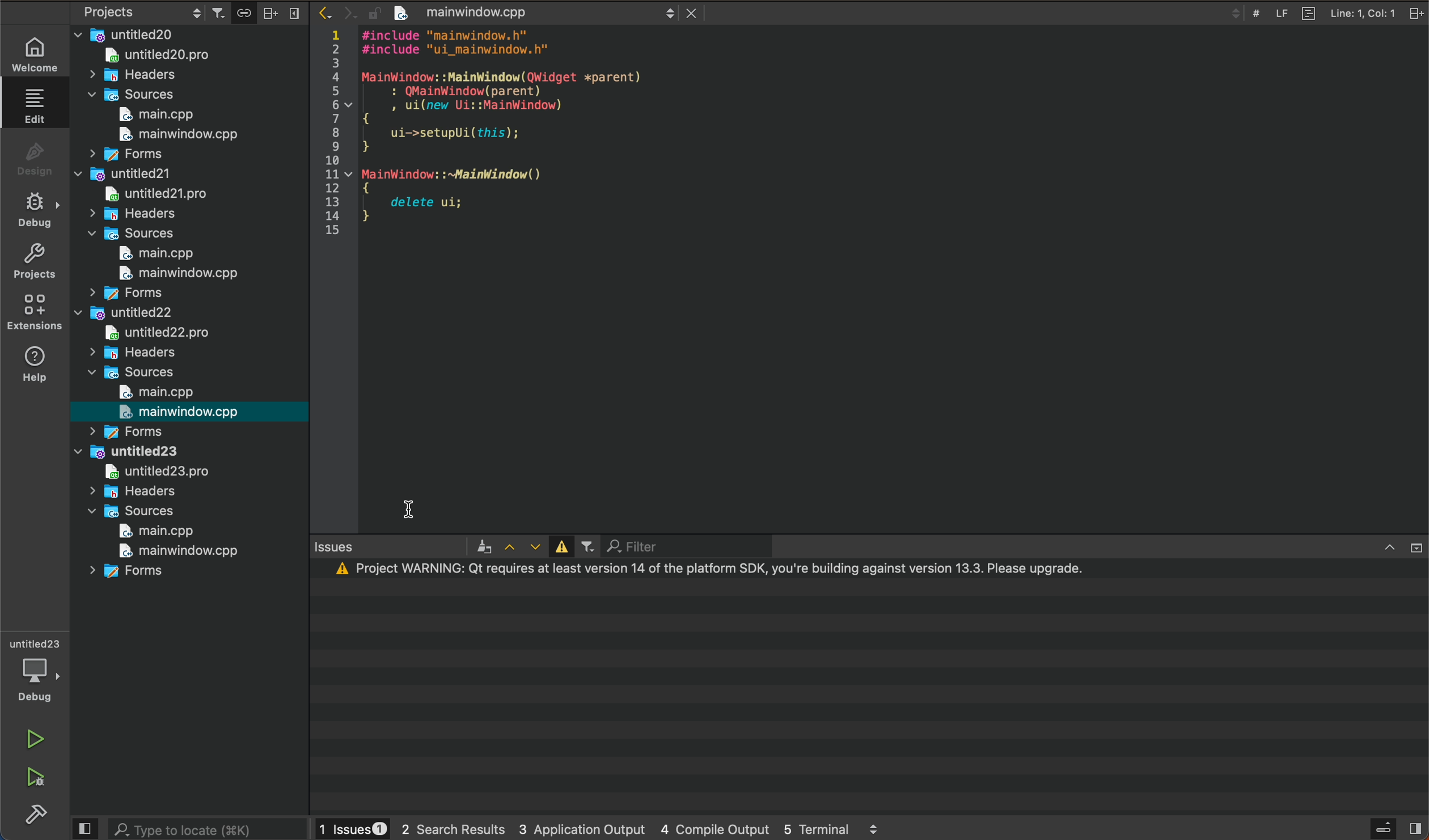  What do you see at coordinates (491, 142) in the screenshot?
I see `code` at bounding box center [491, 142].